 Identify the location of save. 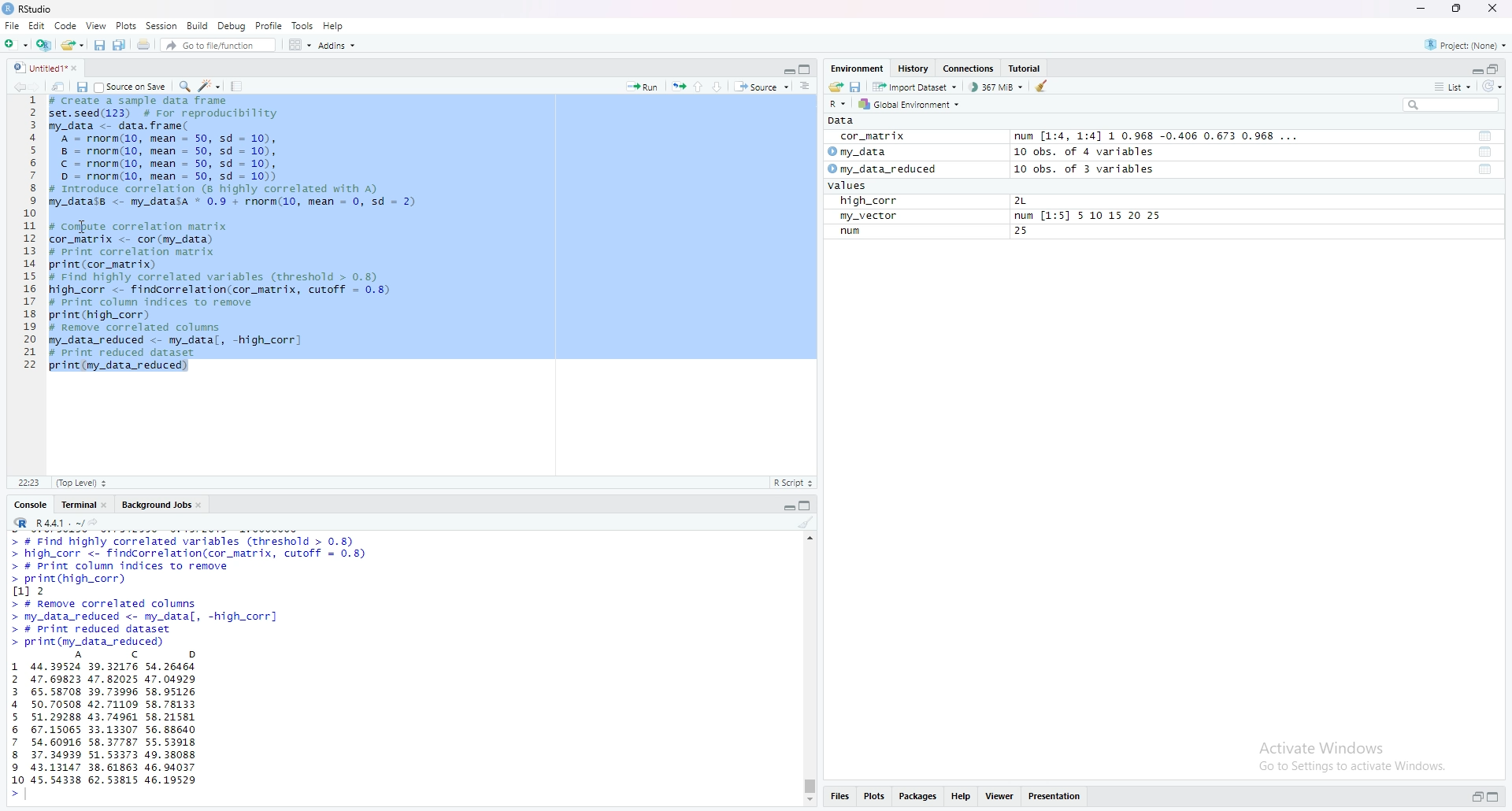
(101, 46).